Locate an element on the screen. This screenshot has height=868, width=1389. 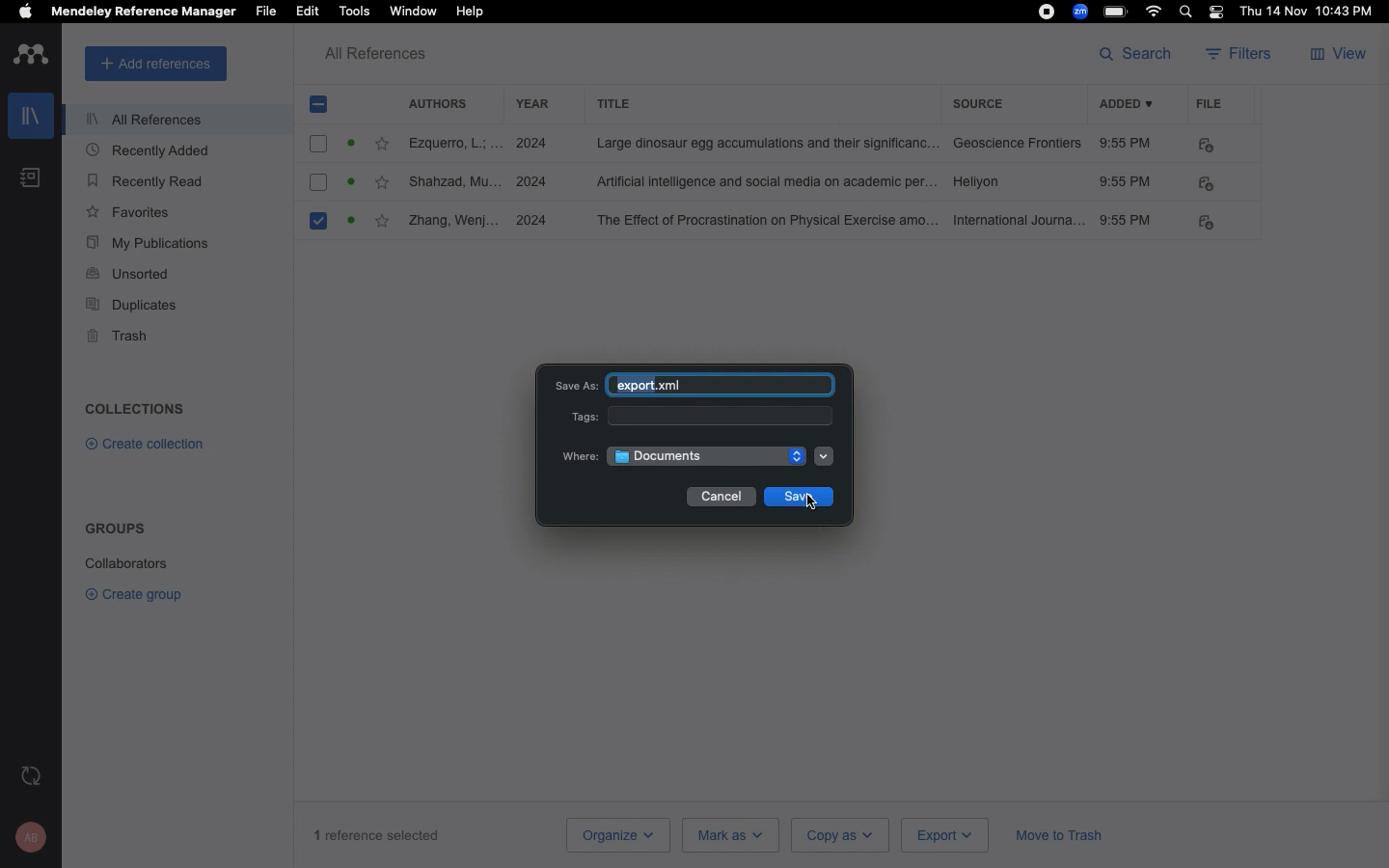
Where is located at coordinates (581, 454).